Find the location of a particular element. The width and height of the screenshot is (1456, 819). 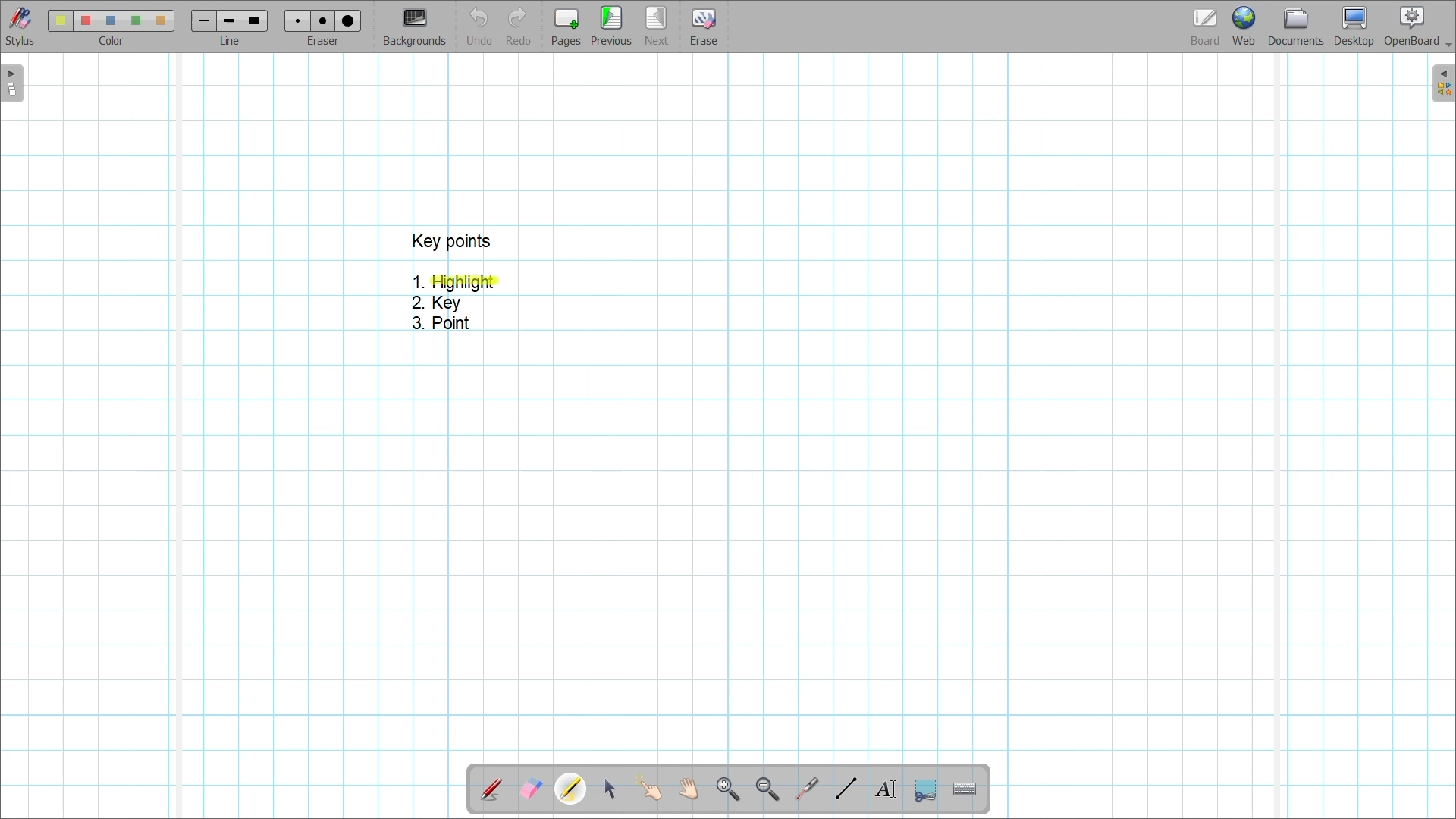

color4 is located at coordinates (135, 20).